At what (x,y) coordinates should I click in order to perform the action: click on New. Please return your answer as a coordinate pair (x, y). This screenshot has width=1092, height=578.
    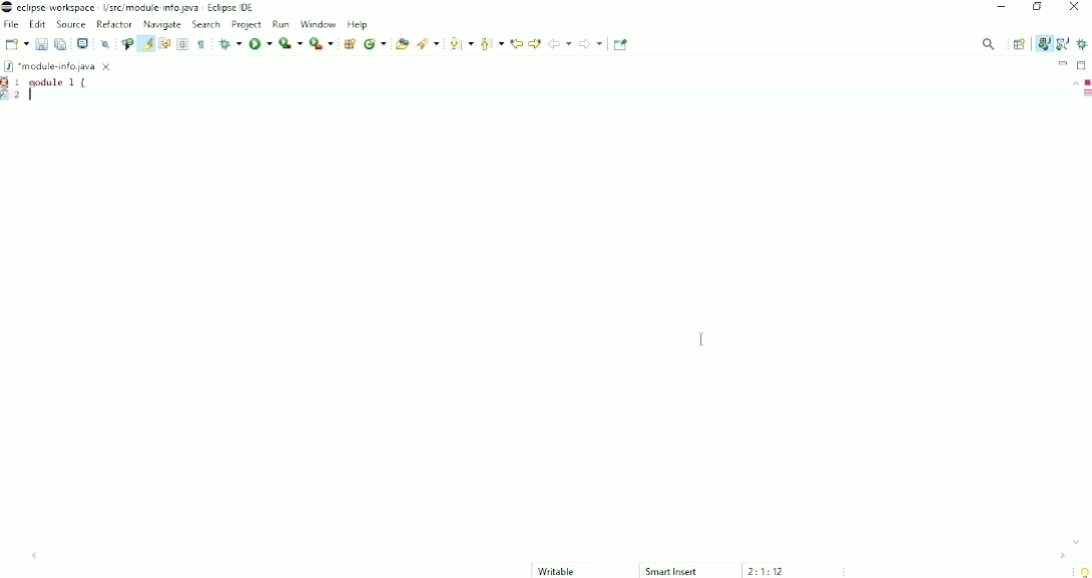
    Looking at the image, I should click on (16, 44).